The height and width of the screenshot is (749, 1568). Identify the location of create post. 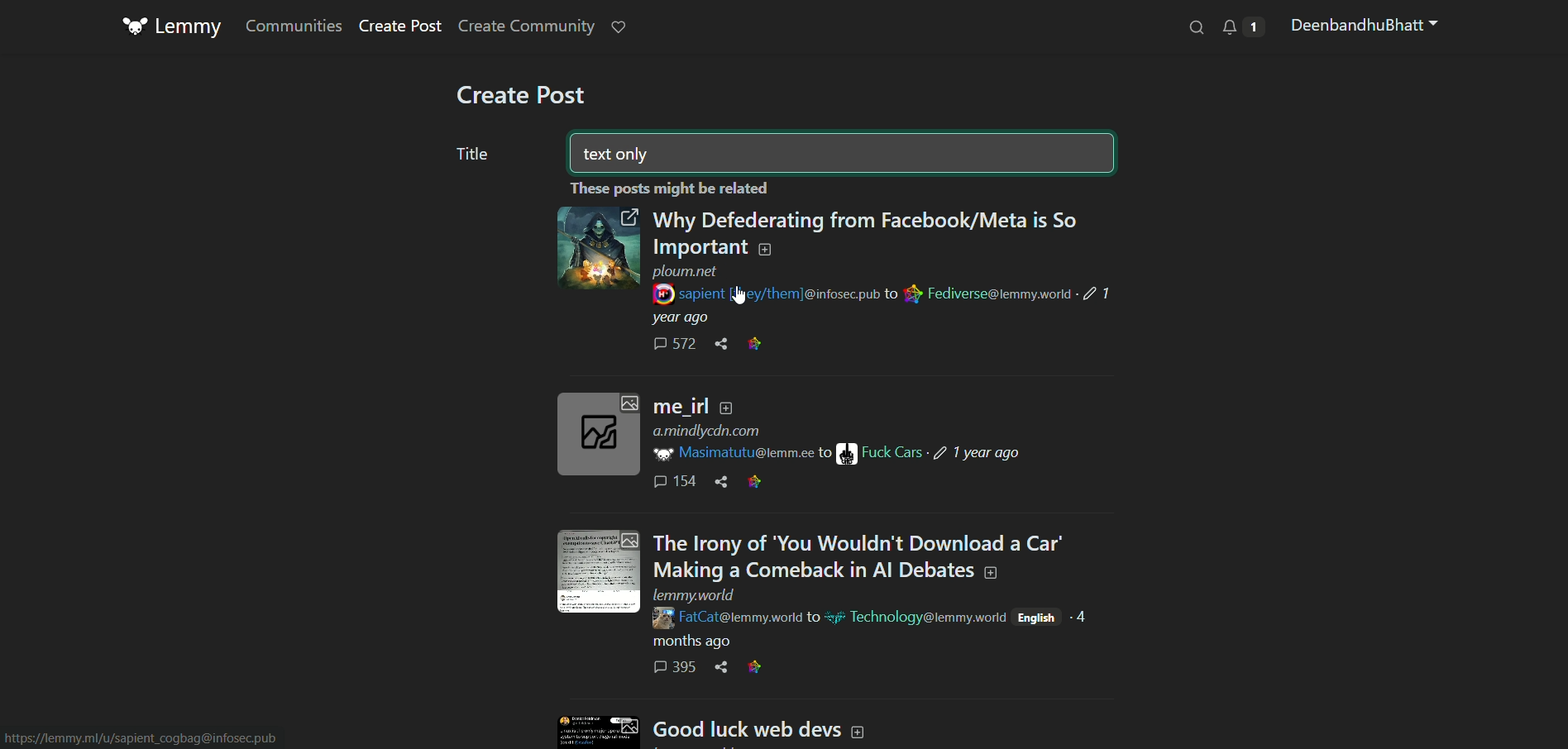
(401, 27).